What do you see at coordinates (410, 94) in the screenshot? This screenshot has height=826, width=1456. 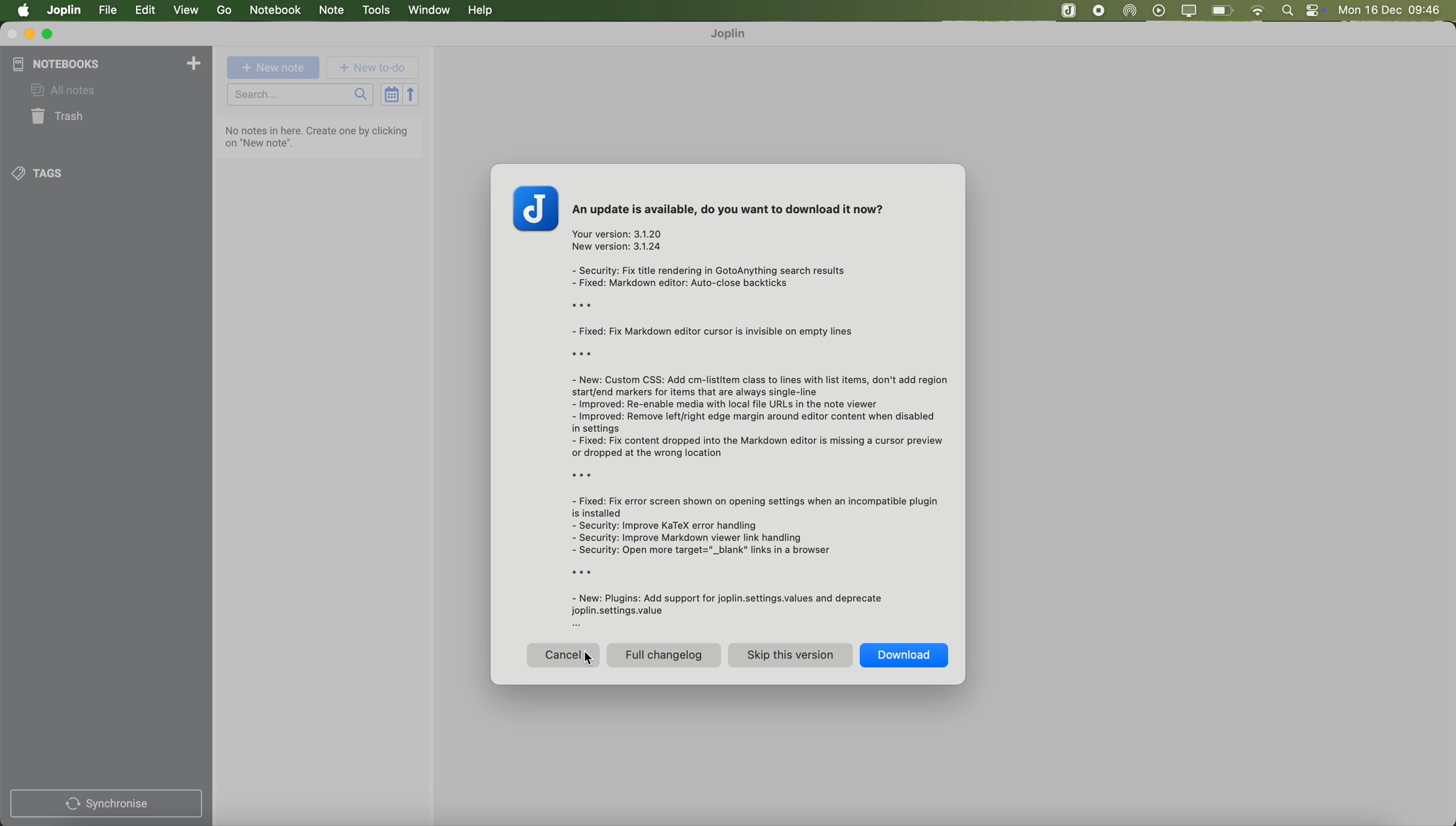 I see `reverse sort order` at bounding box center [410, 94].